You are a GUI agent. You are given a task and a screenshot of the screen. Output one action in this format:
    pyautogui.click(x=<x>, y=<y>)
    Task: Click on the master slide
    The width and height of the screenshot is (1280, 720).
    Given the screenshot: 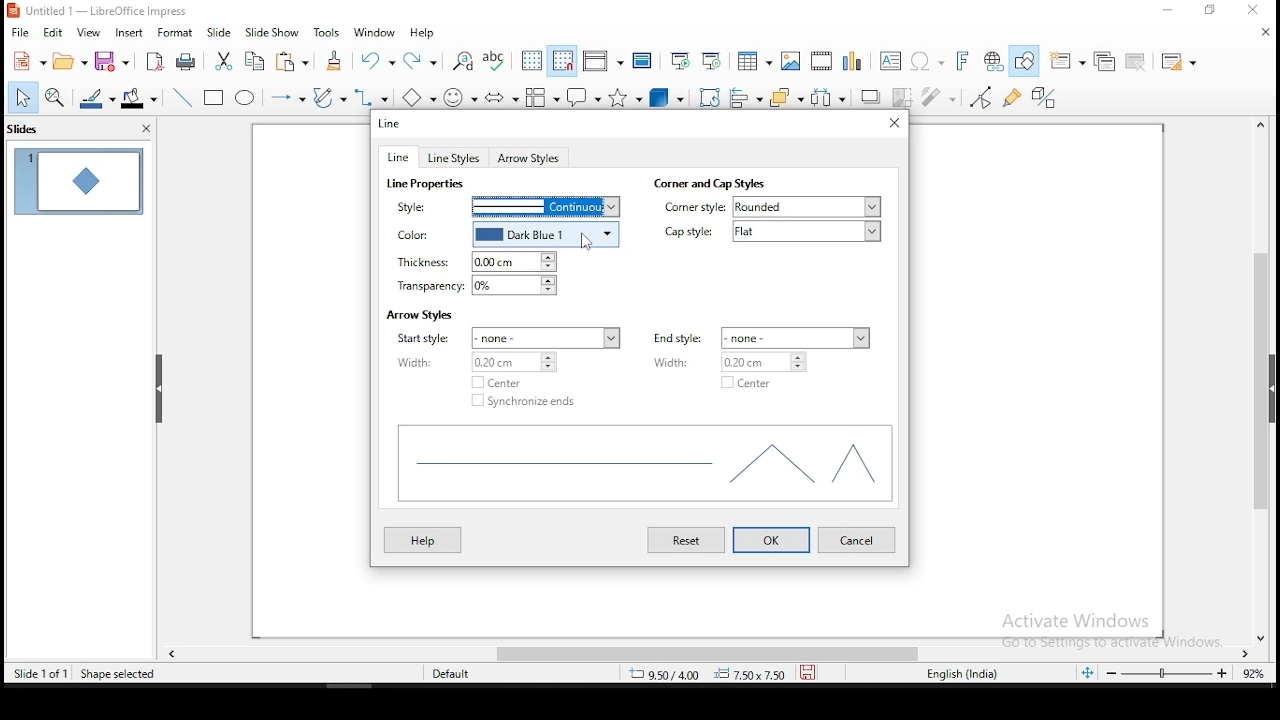 What is the action you would take?
    pyautogui.click(x=642, y=61)
    